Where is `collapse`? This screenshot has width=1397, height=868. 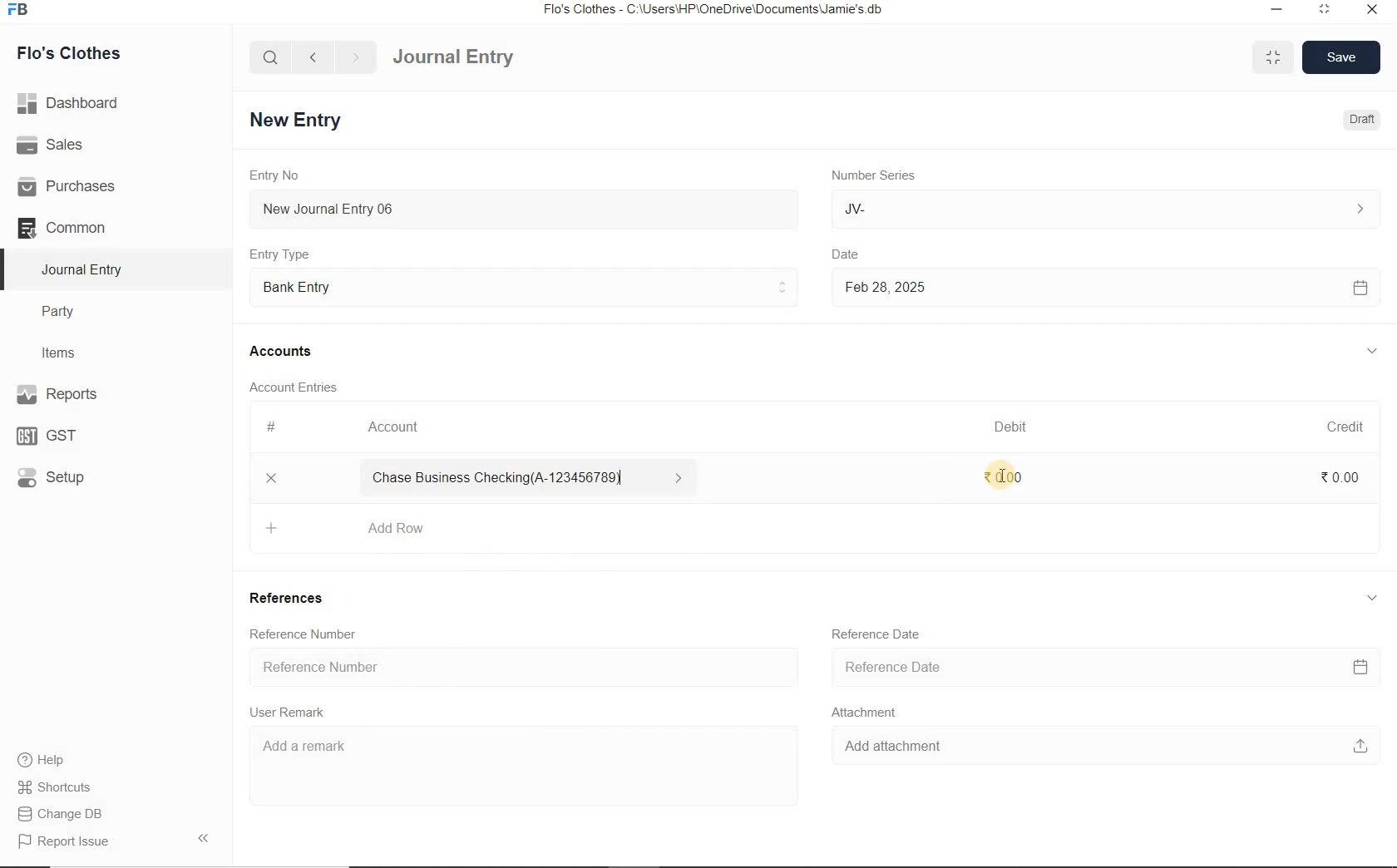 collapse is located at coordinates (1370, 599).